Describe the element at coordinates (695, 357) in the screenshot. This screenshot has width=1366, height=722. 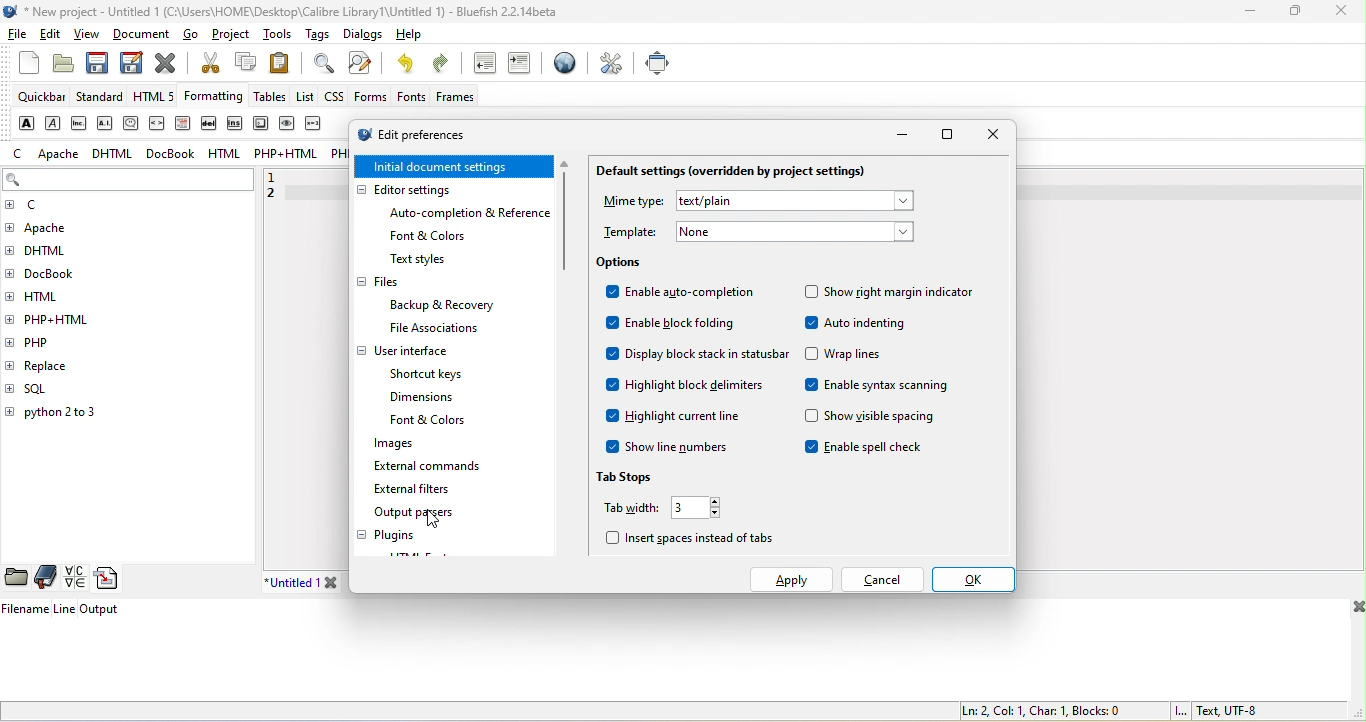
I see `display block stack in statusbar` at that location.